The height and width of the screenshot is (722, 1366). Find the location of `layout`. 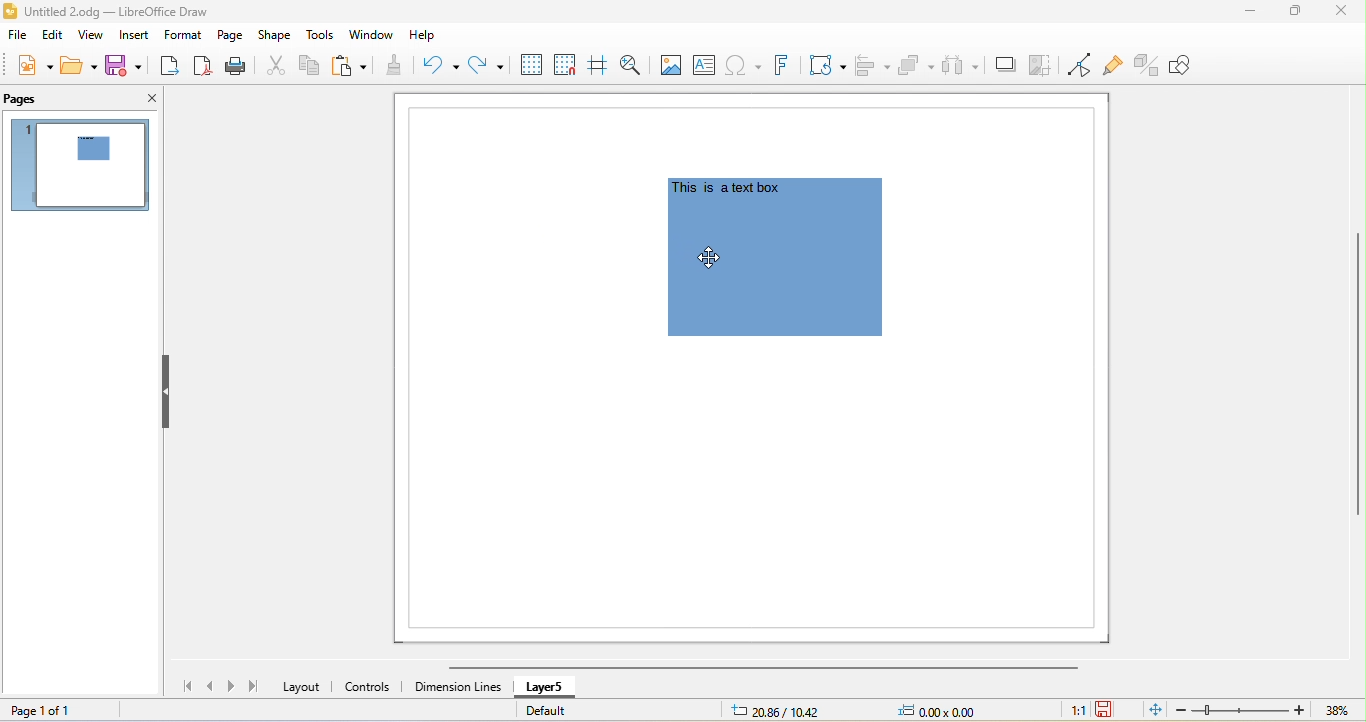

layout is located at coordinates (304, 686).